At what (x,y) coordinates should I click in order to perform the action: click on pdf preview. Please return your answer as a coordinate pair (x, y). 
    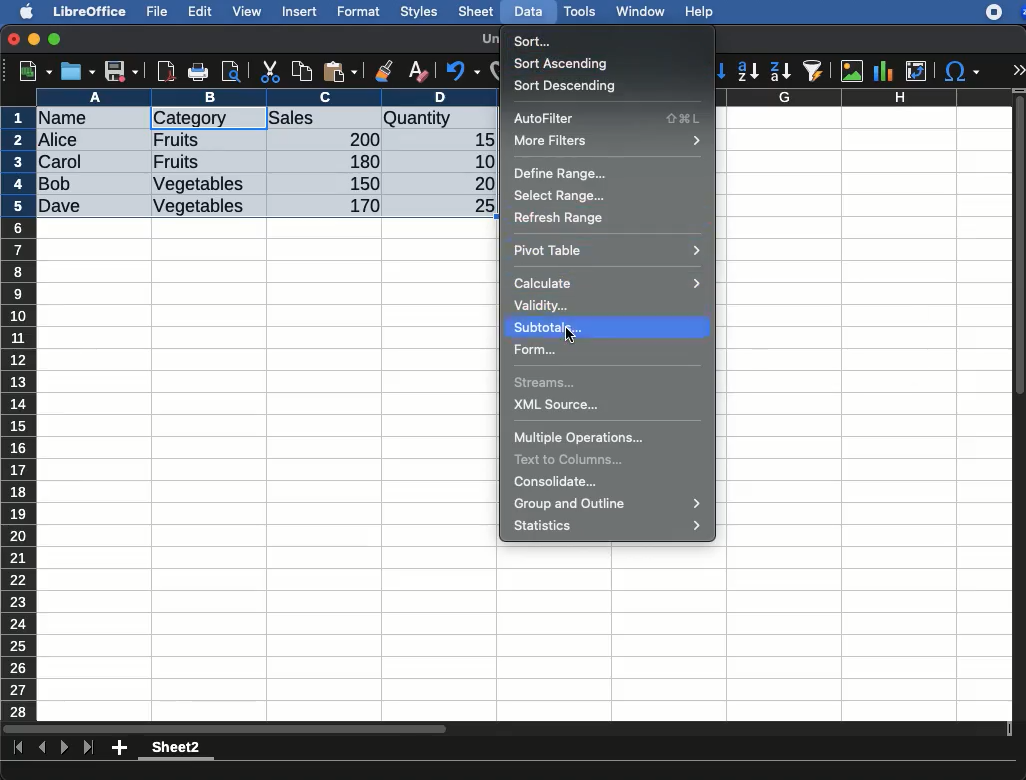
    Looking at the image, I should click on (167, 71).